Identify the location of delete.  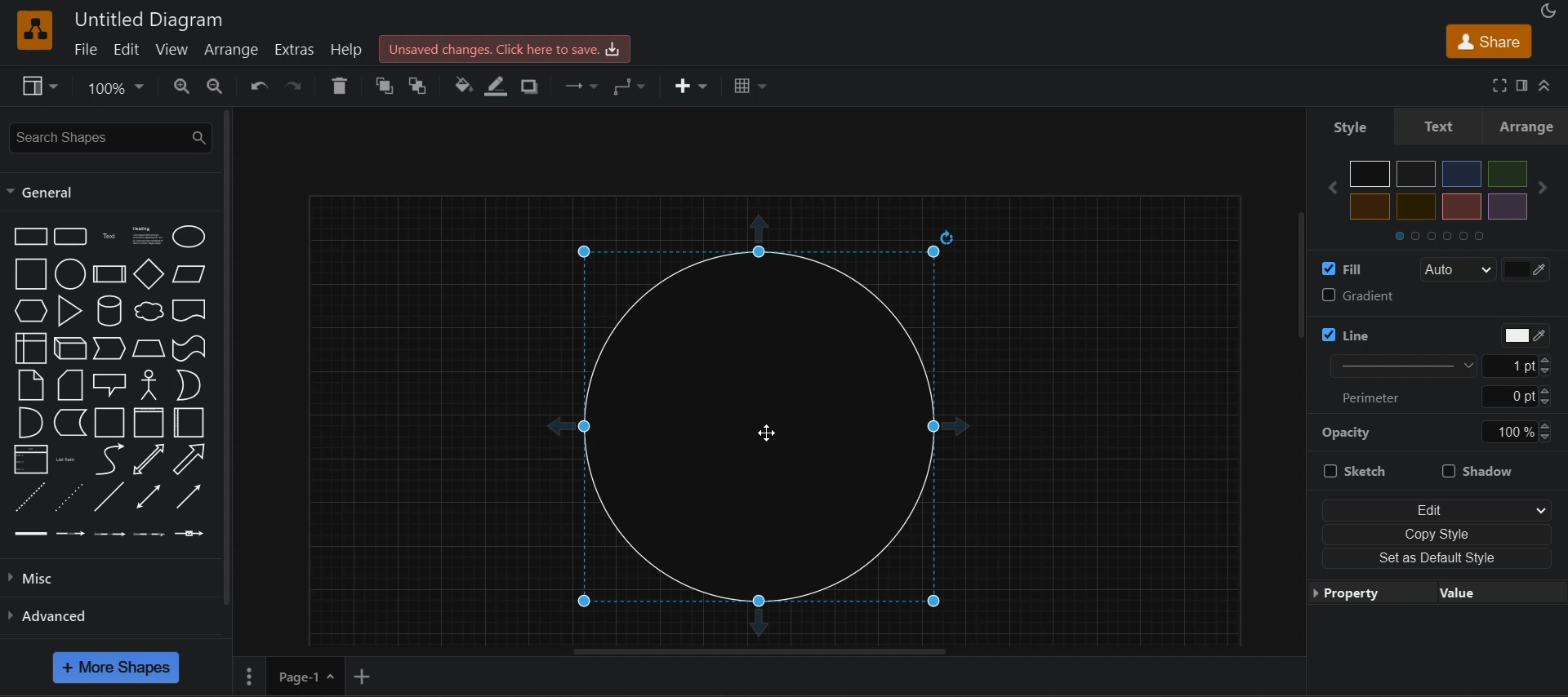
(343, 88).